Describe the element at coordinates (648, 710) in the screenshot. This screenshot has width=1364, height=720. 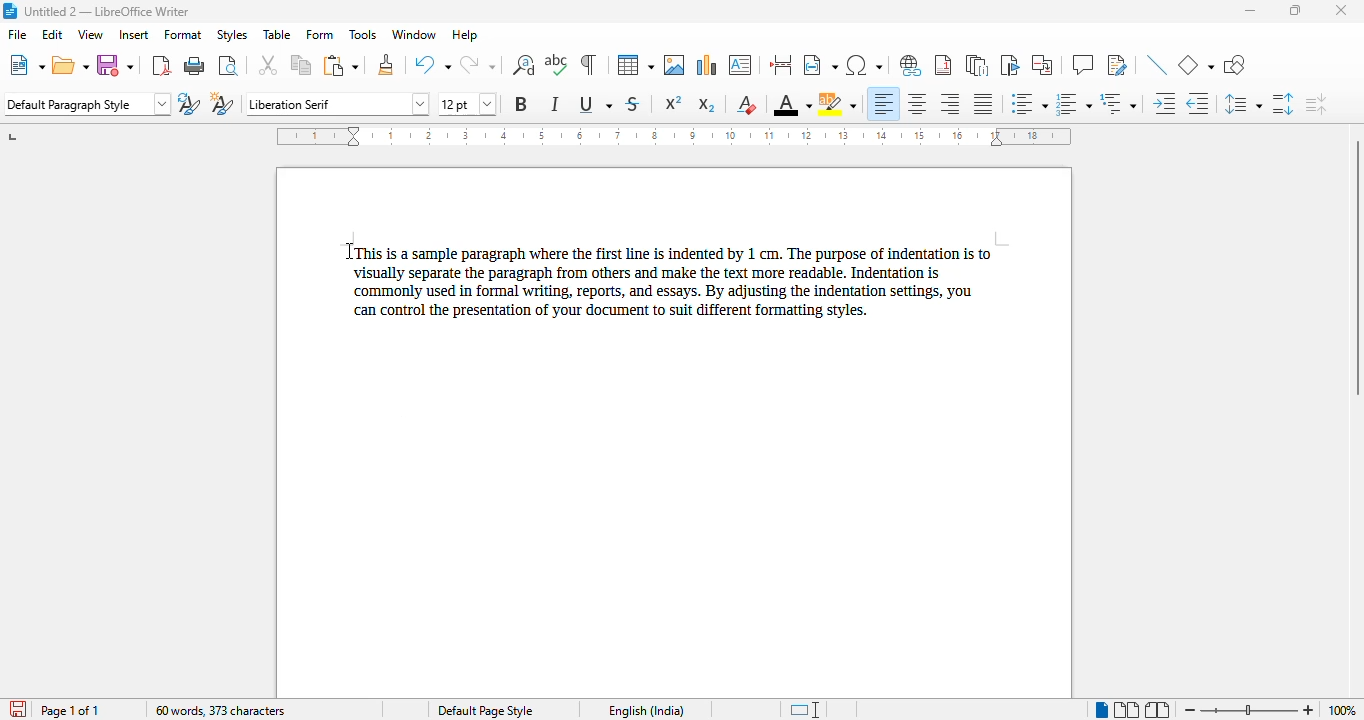
I see `text language` at that location.